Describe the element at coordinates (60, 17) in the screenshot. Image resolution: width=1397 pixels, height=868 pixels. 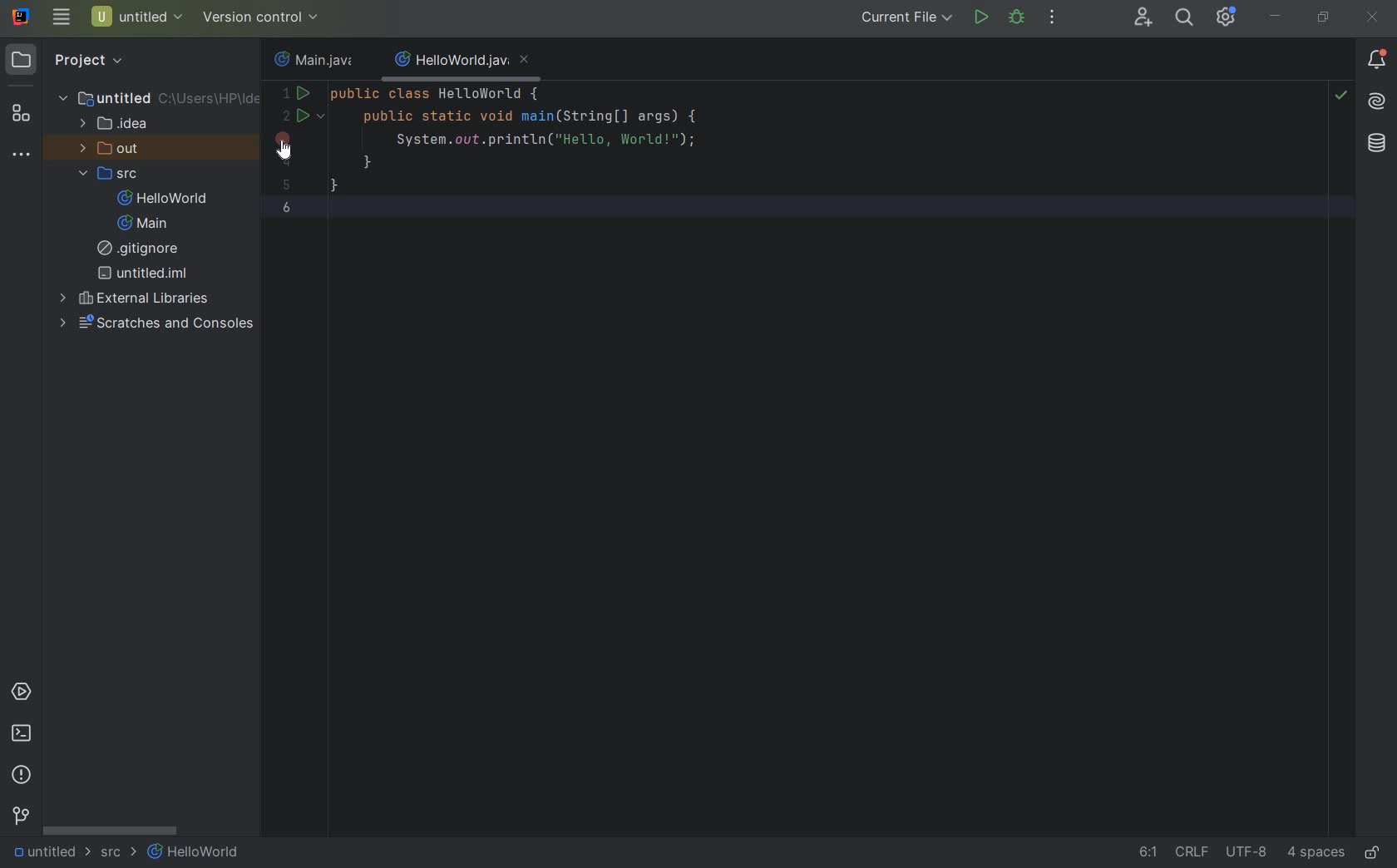
I see `main menu` at that location.